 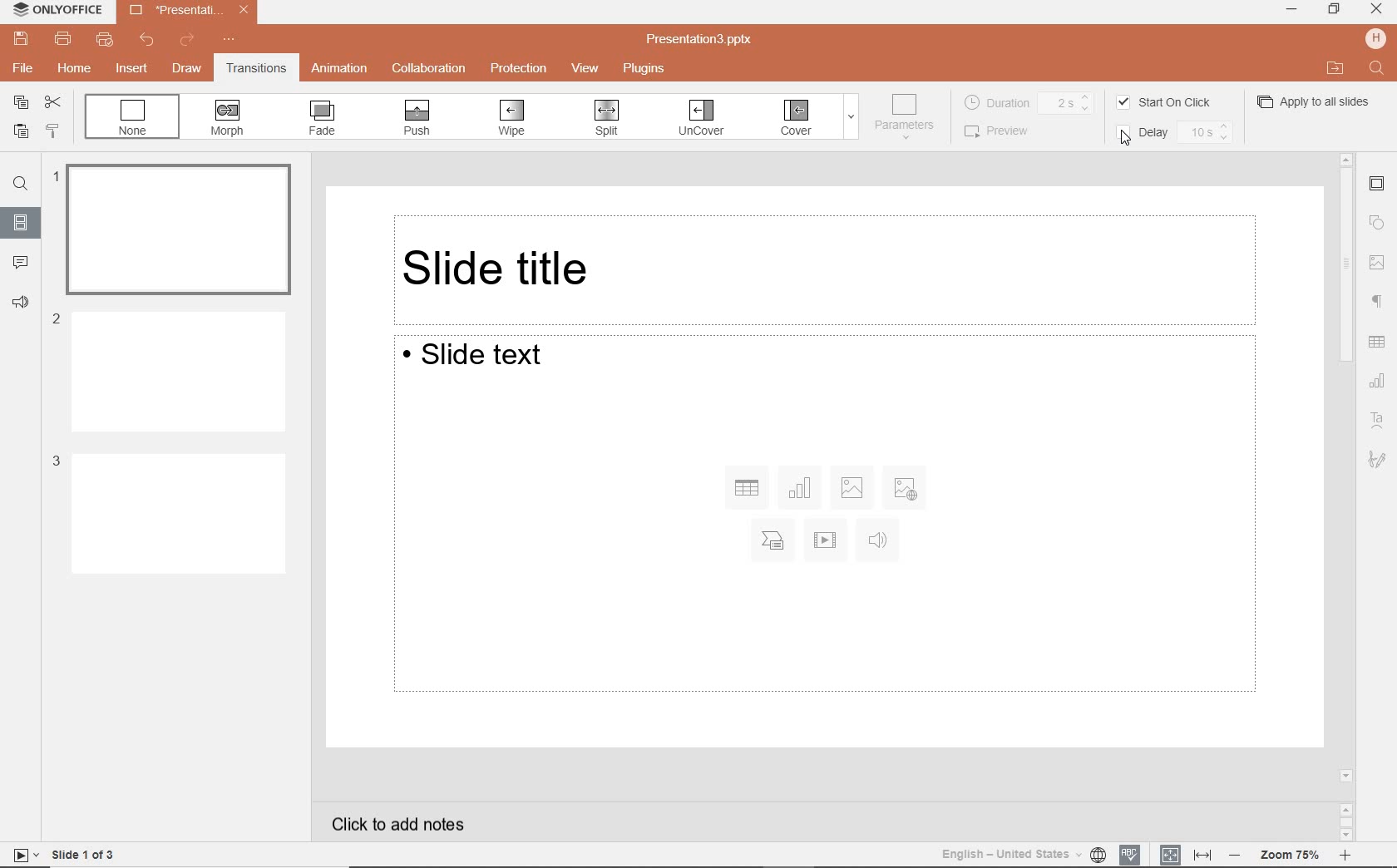 I want to click on slide 1, so click(x=175, y=225).